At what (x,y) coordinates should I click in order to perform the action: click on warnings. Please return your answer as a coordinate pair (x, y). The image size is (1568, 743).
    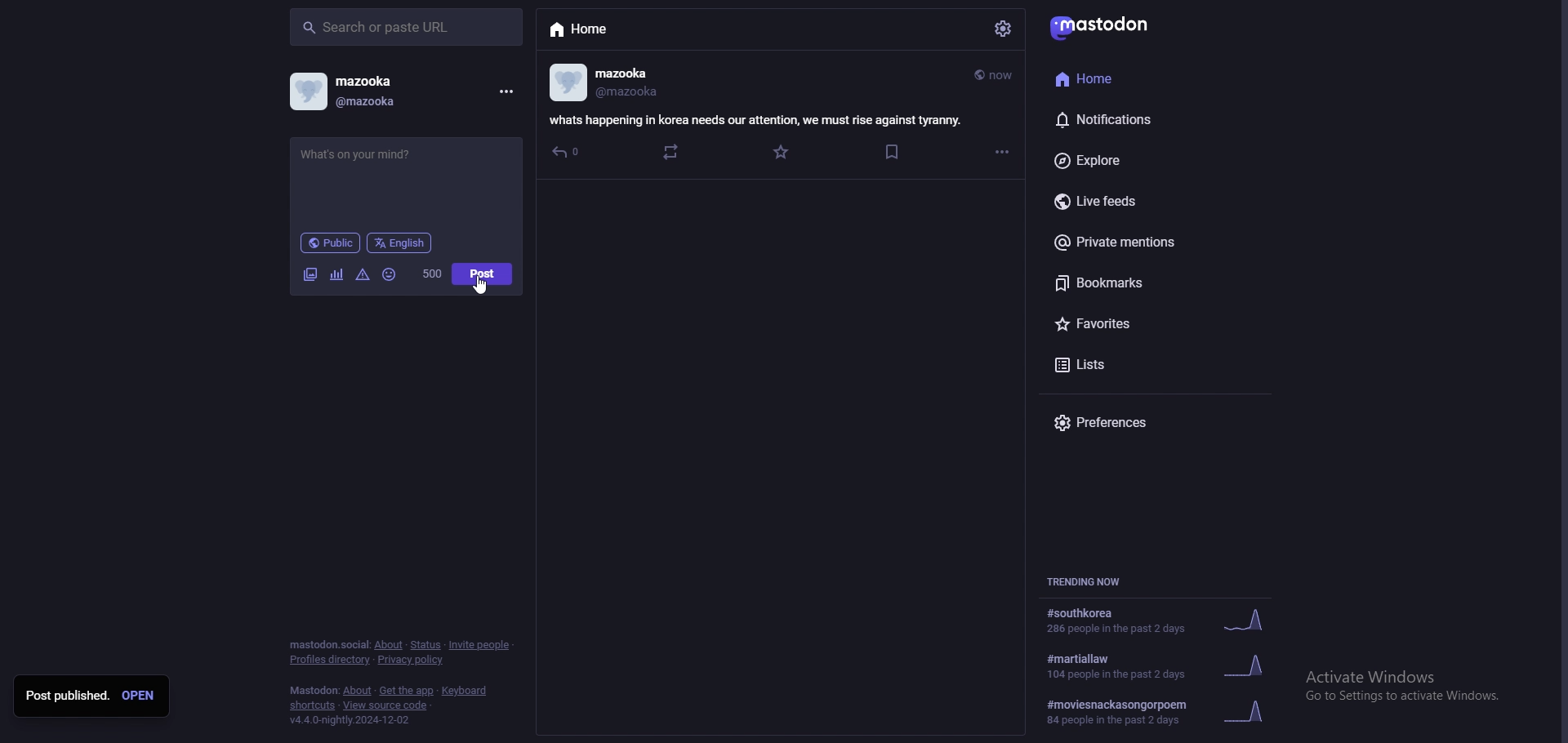
    Looking at the image, I should click on (363, 276).